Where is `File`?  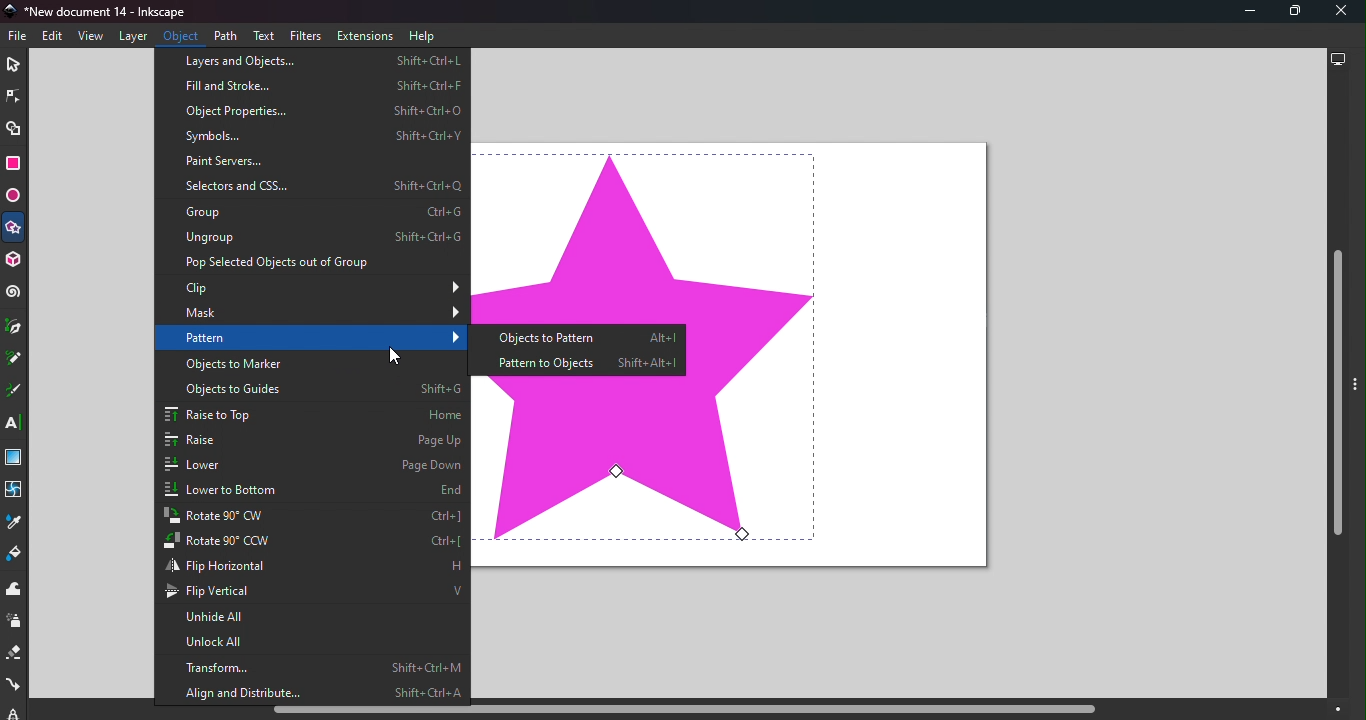
File is located at coordinates (21, 36).